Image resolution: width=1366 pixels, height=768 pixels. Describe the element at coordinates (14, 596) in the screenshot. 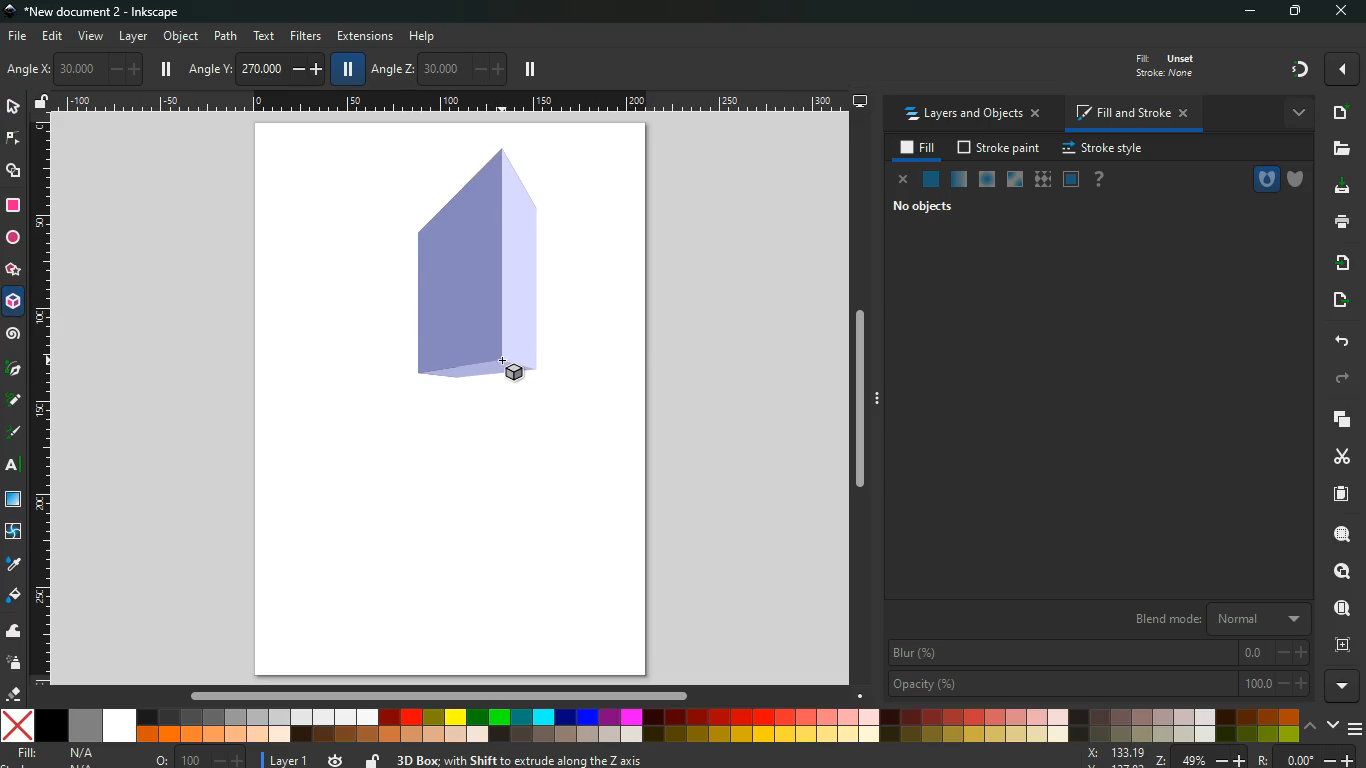

I see `fill` at that location.